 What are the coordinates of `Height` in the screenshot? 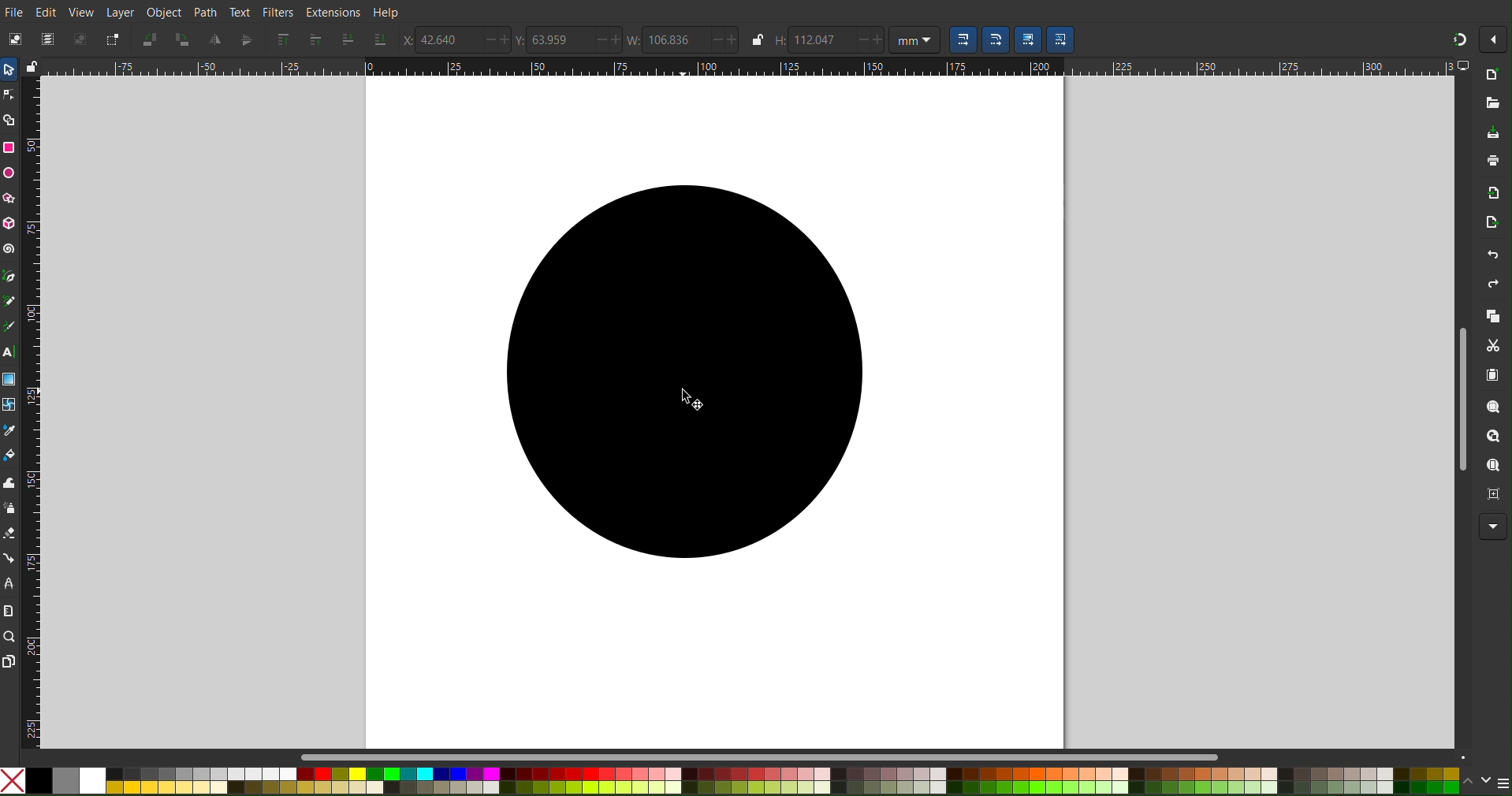 It's located at (779, 39).